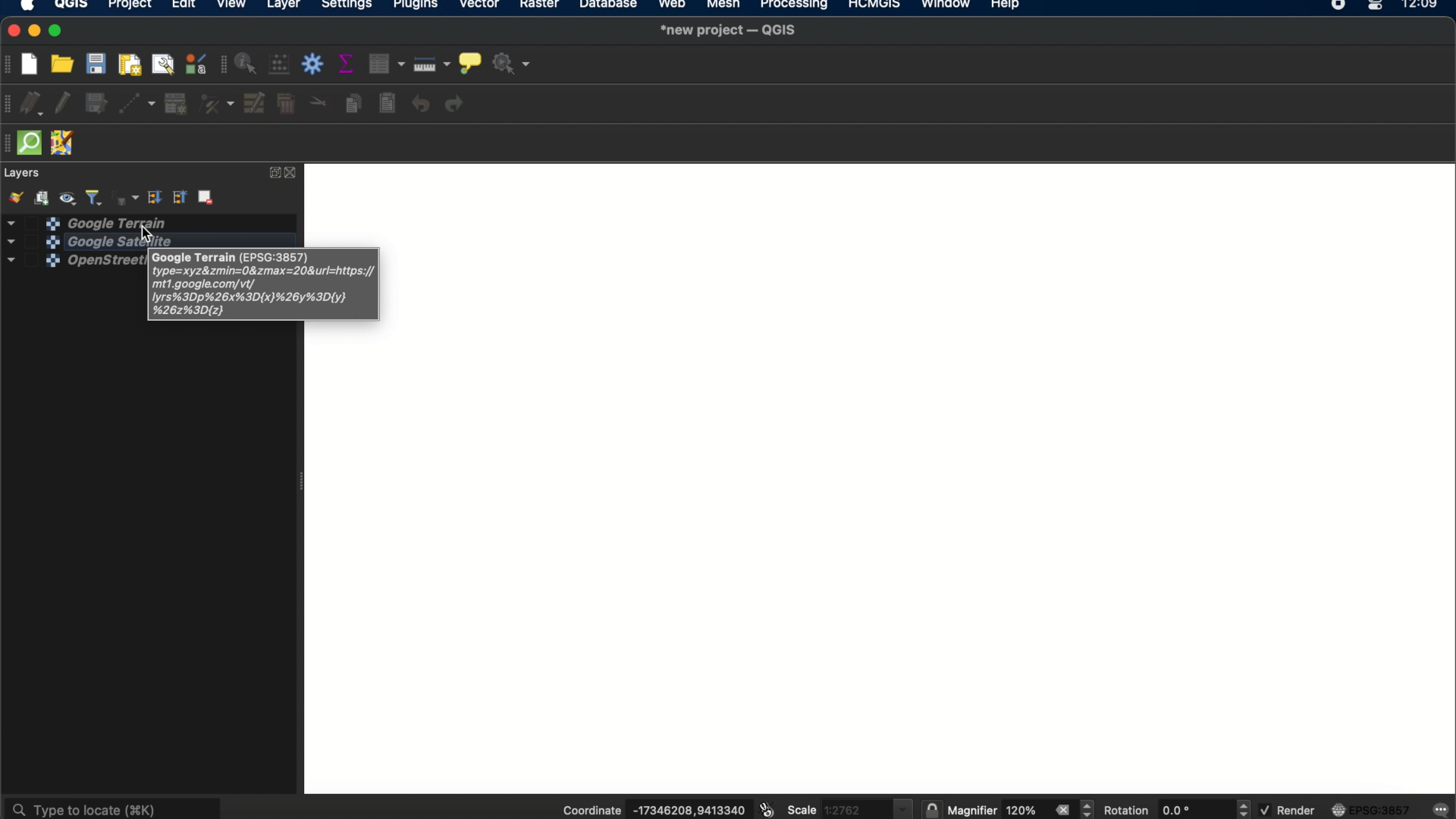 This screenshot has width=1456, height=819. I want to click on JOSM remote, so click(64, 144).